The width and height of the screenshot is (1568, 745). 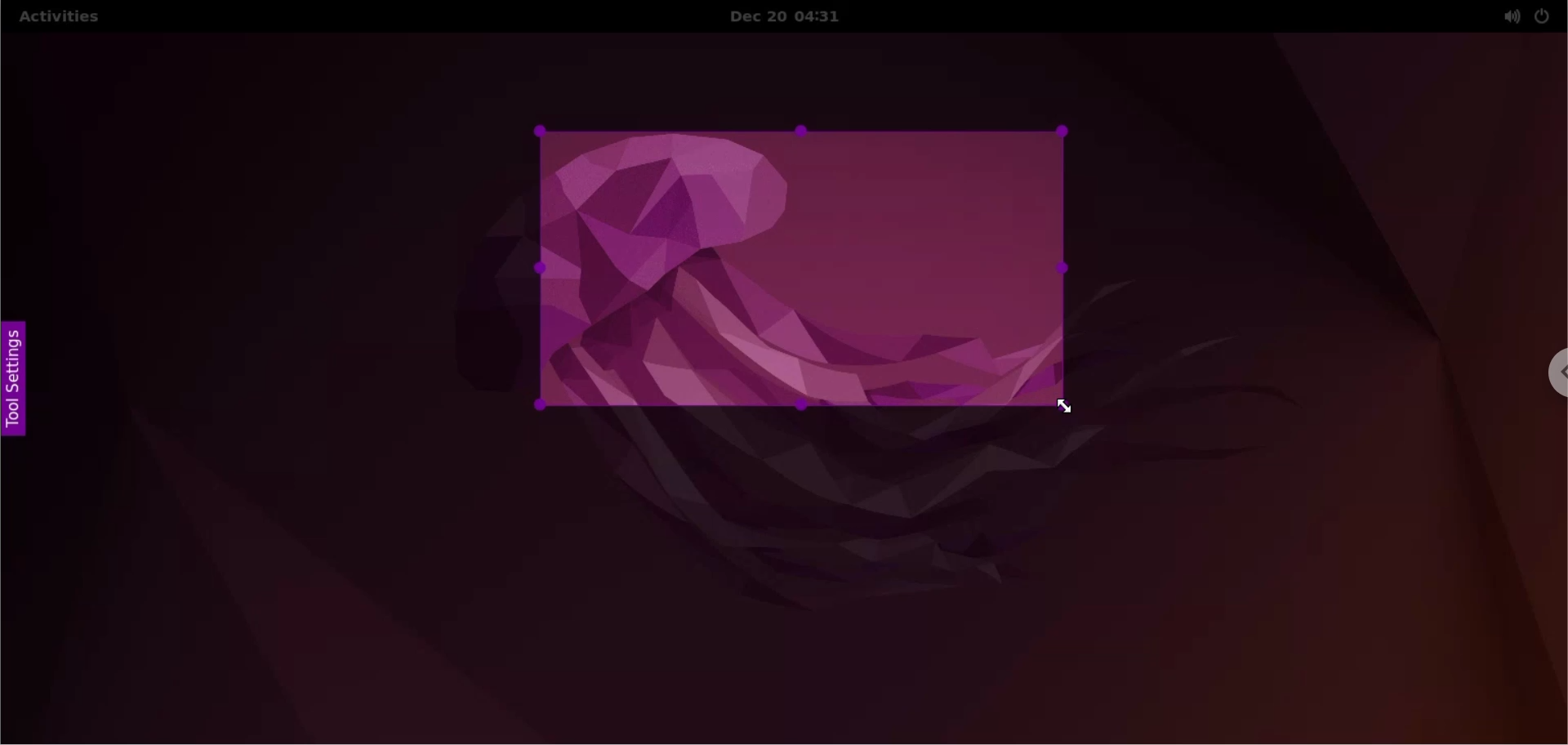 What do you see at coordinates (1074, 410) in the screenshot?
I see `cursor` at bounding box center [1074, 410].